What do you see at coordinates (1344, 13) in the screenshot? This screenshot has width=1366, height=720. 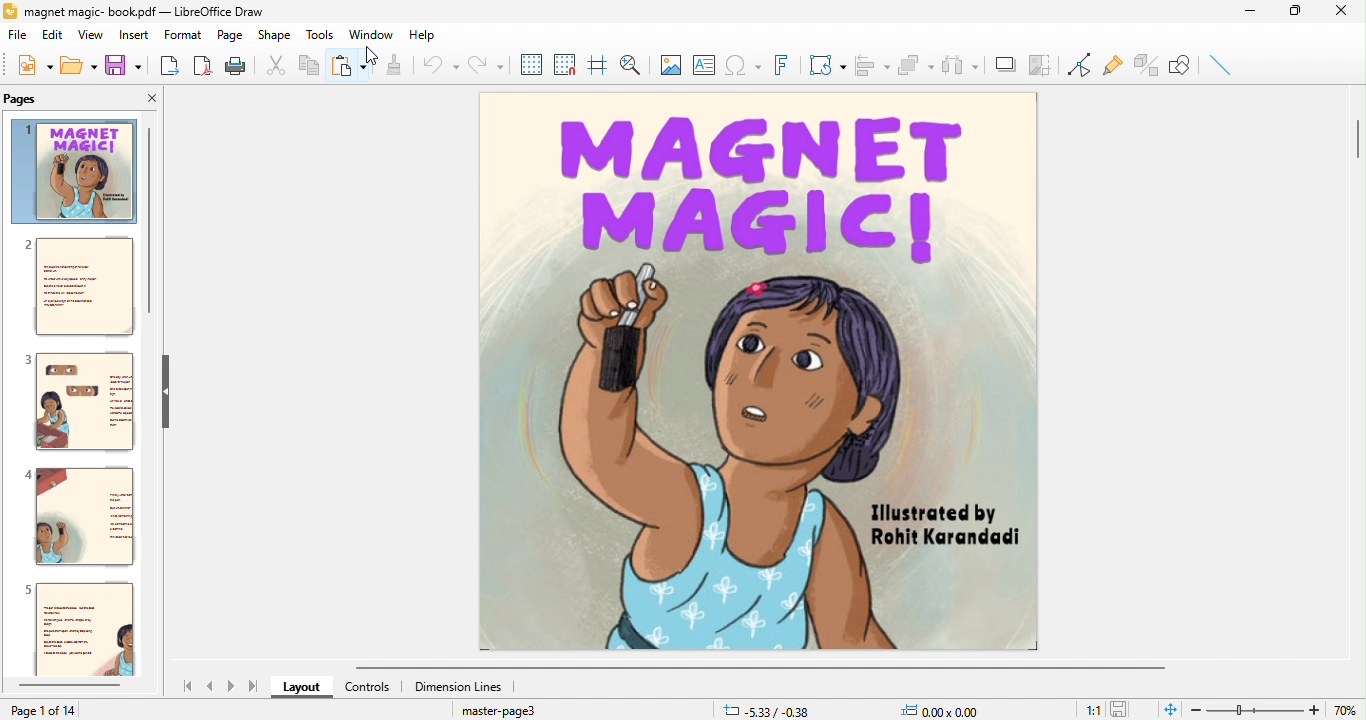 I see `close` at bounding box center [1344, 13].